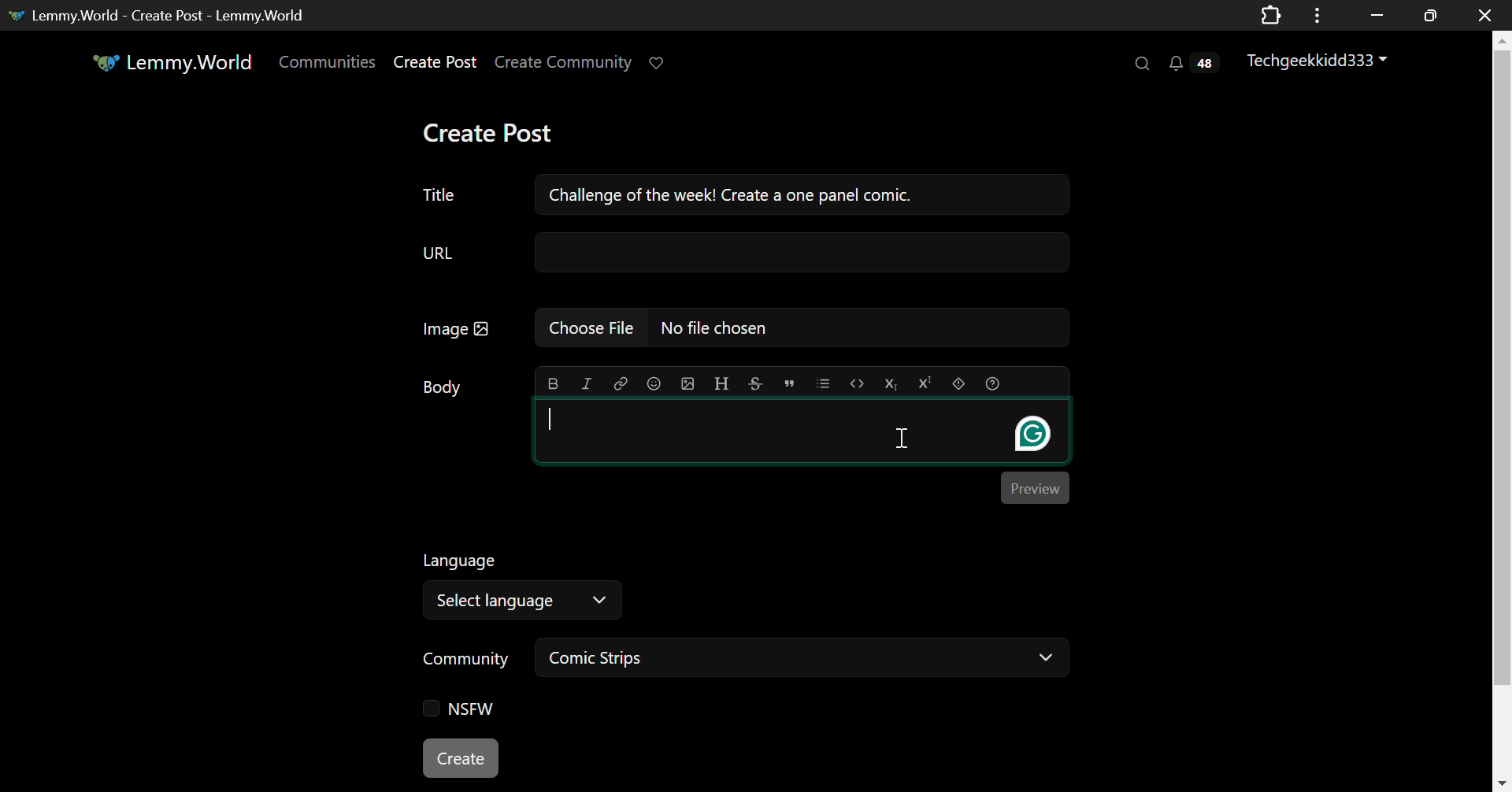 The image size is (1512, 792). Describe the element at coordinates (521, 601) in the screenshot. I see `Select Language` at that location.